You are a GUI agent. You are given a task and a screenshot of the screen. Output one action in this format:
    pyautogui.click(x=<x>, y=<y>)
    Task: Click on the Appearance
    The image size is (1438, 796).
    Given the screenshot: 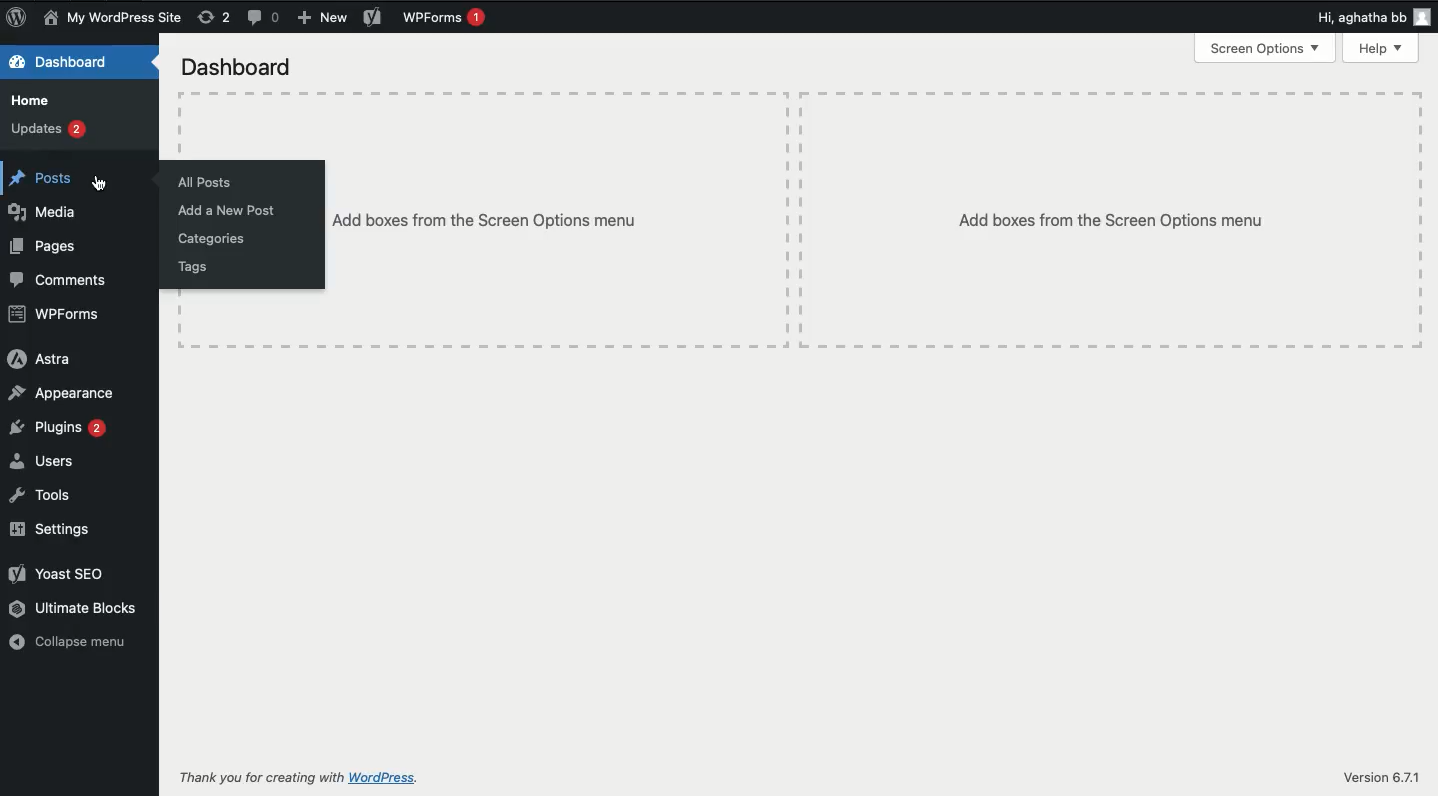 What is the action you would take?
    pyautogui.click(x=62, y=392)
    